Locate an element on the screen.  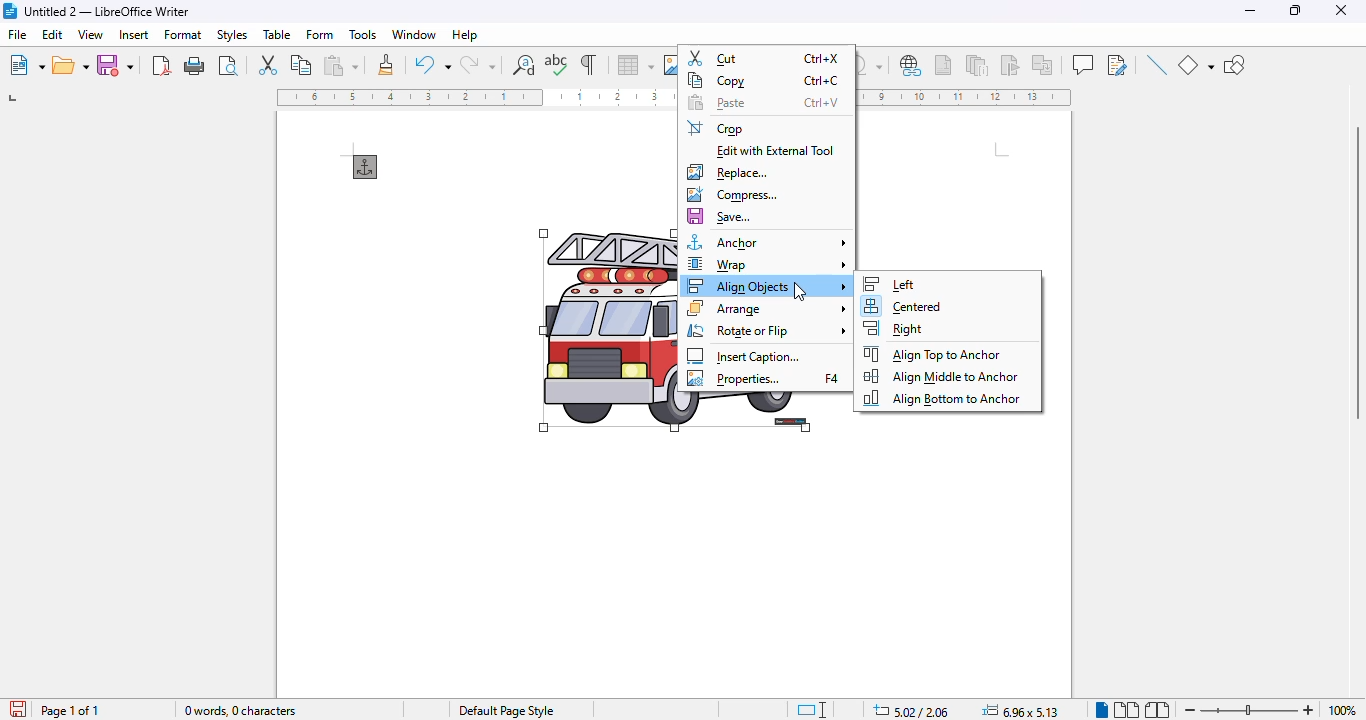
copy is located at coordinates (302, 64).